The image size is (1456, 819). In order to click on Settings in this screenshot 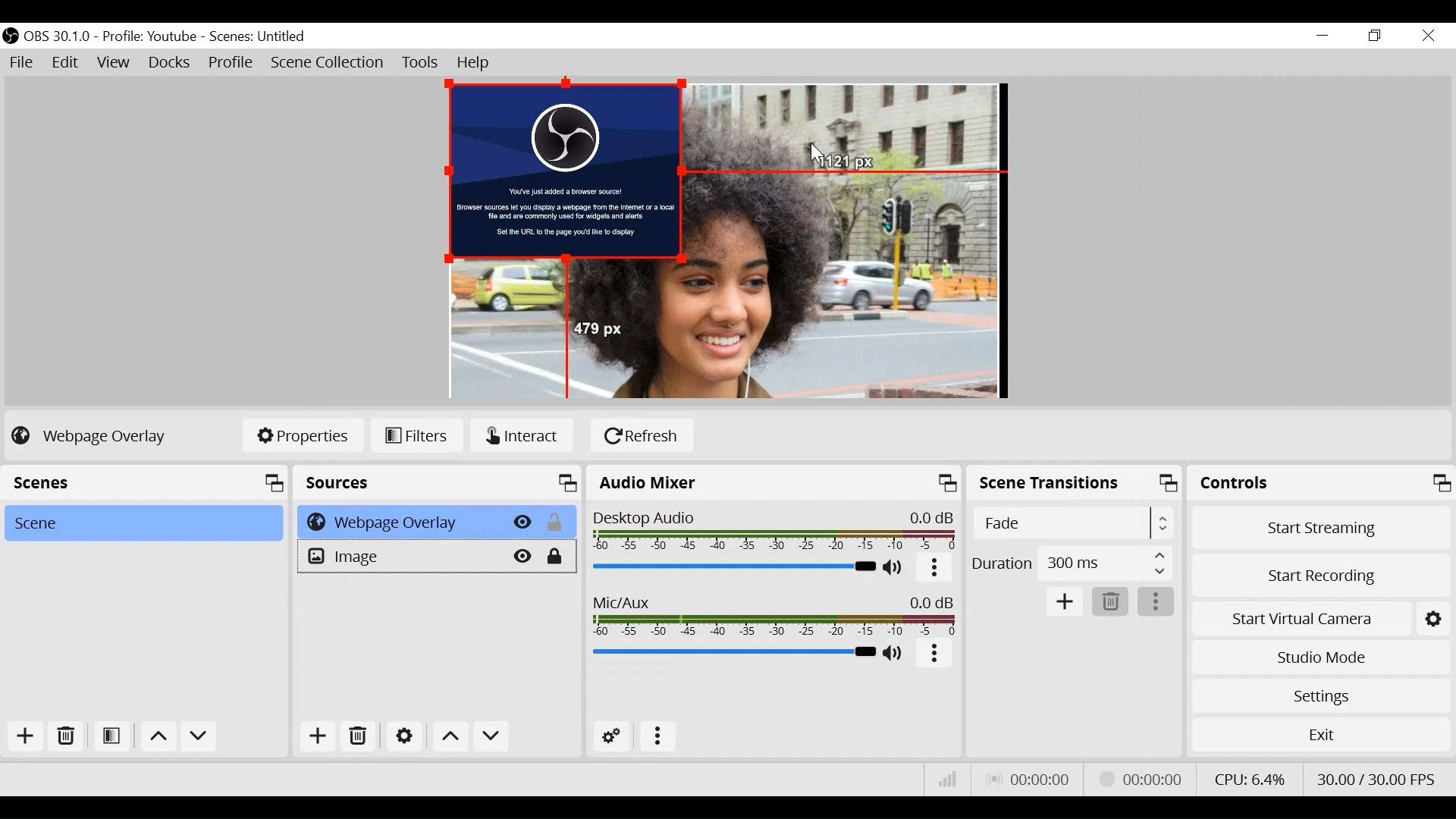, I will do `click(404, 736)`.